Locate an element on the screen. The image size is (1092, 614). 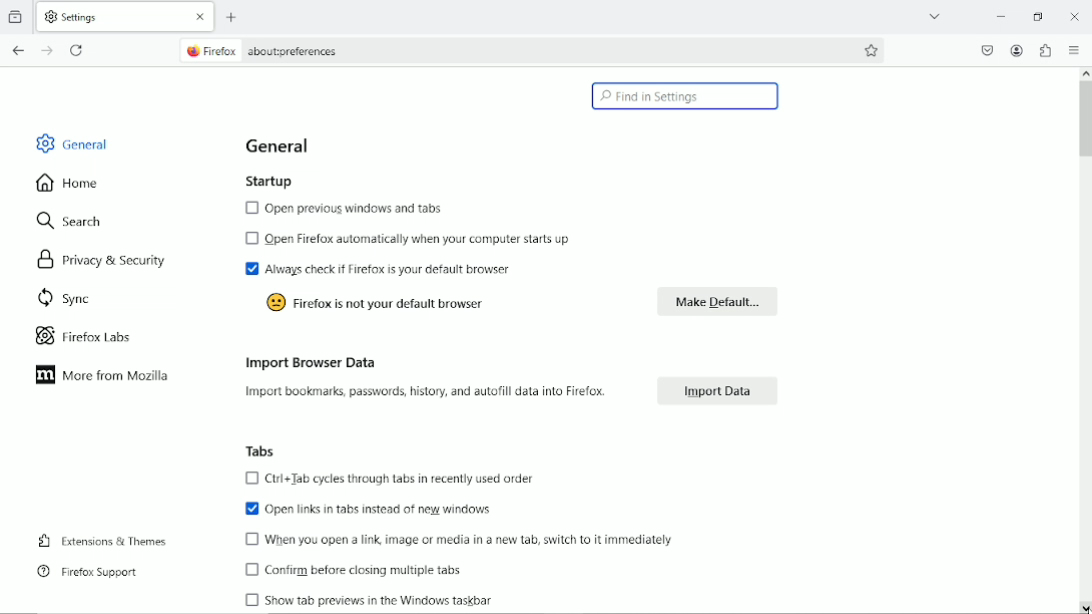
Extensions & Themes is located at coordinates (103, 540).